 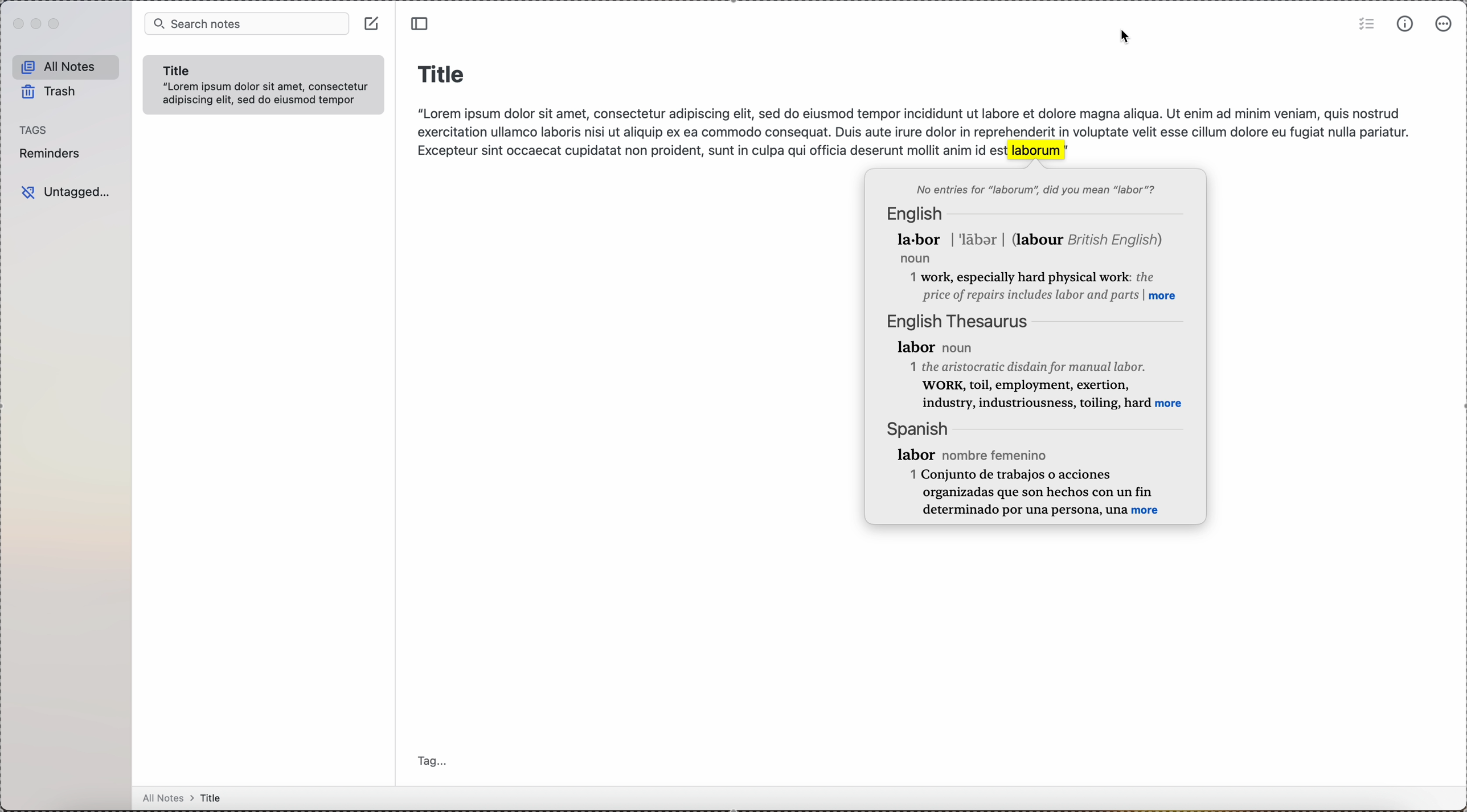 I want to click on search bar, so click(x=243, y=23).